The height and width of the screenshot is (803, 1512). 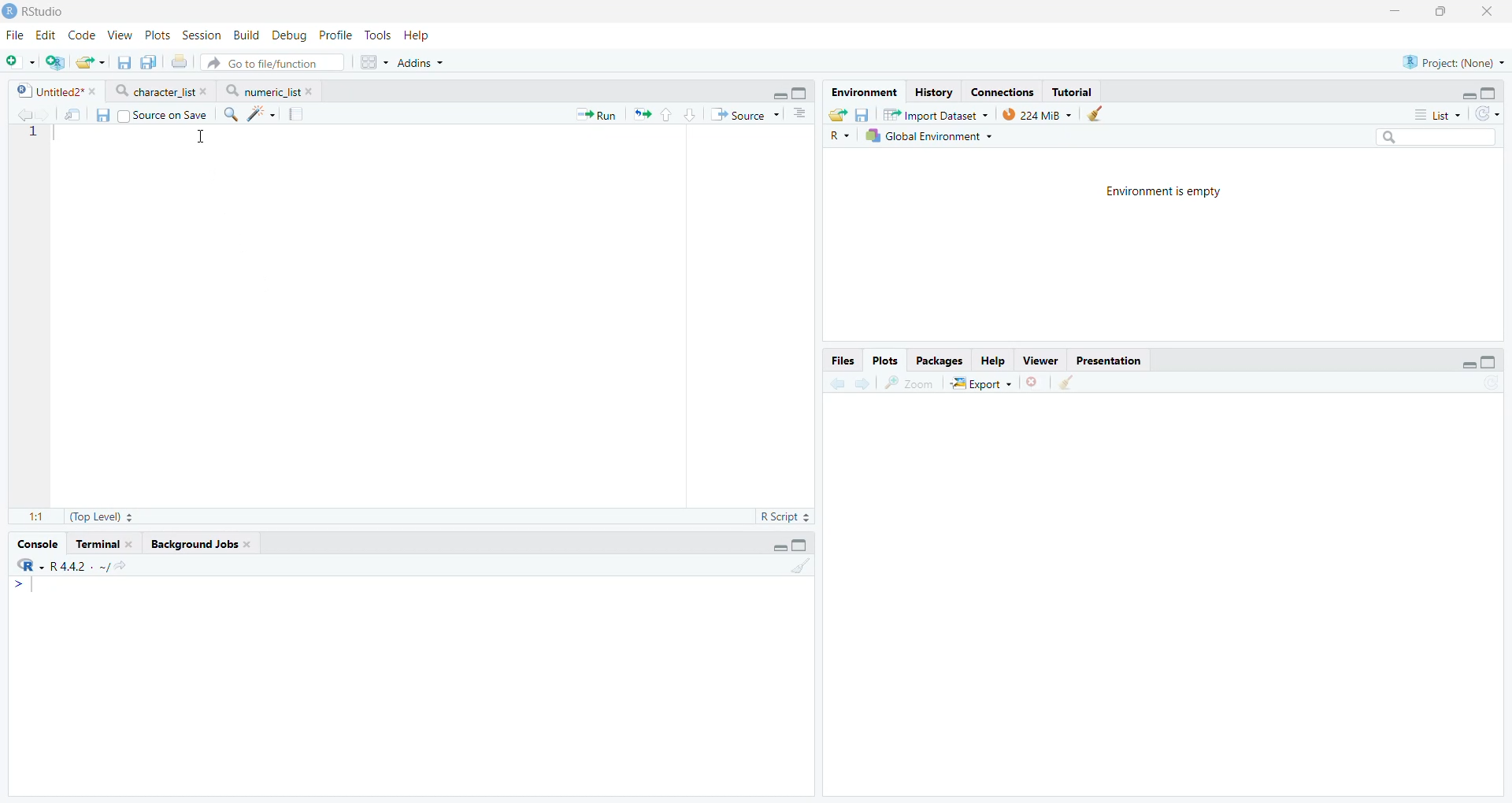 What do you see at coordinates (17, 35) in the screenshot?
I see `File` at bounding box center [17, 35].